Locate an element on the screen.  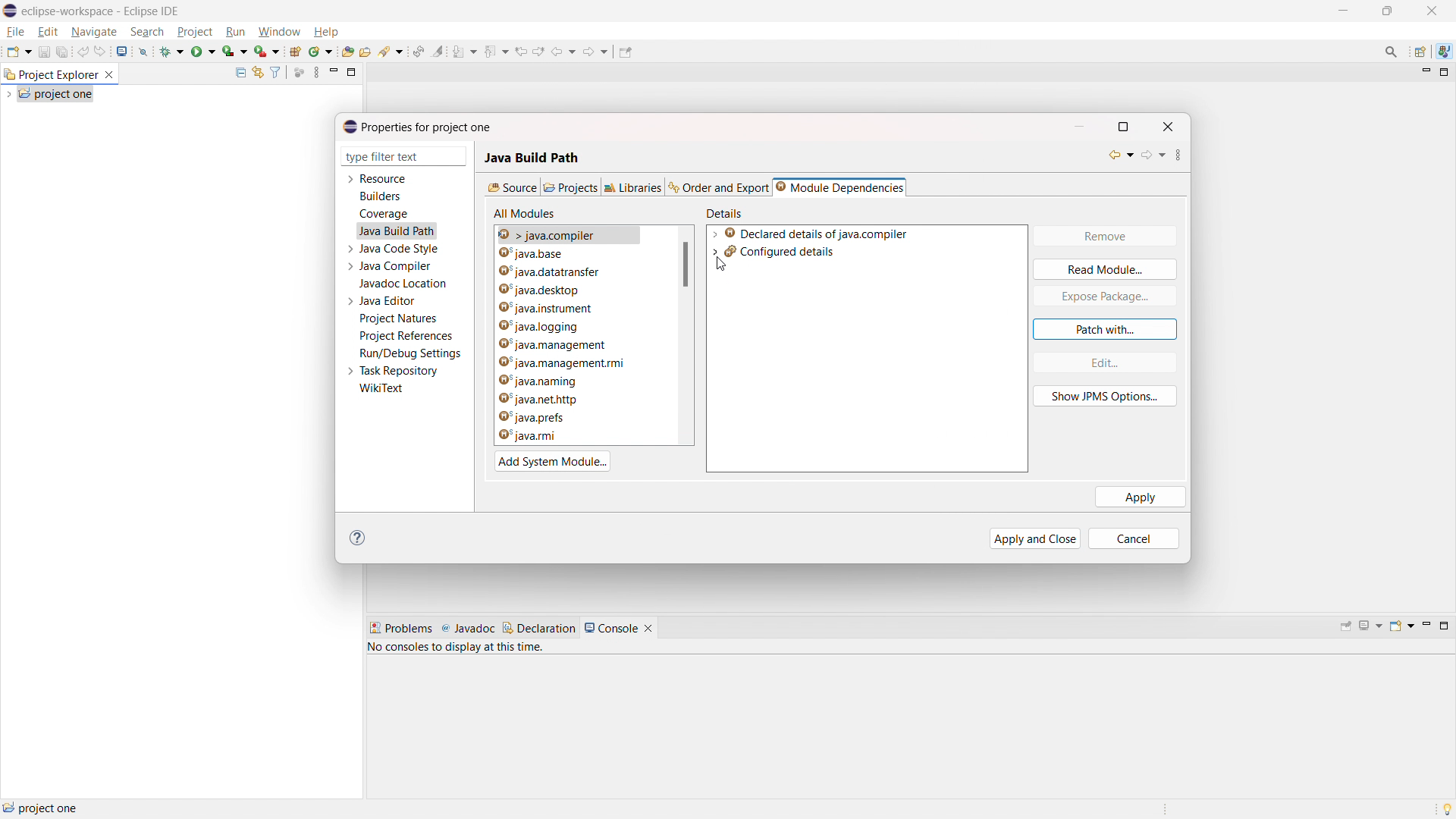
task repository is located at coordinates (400, 371).